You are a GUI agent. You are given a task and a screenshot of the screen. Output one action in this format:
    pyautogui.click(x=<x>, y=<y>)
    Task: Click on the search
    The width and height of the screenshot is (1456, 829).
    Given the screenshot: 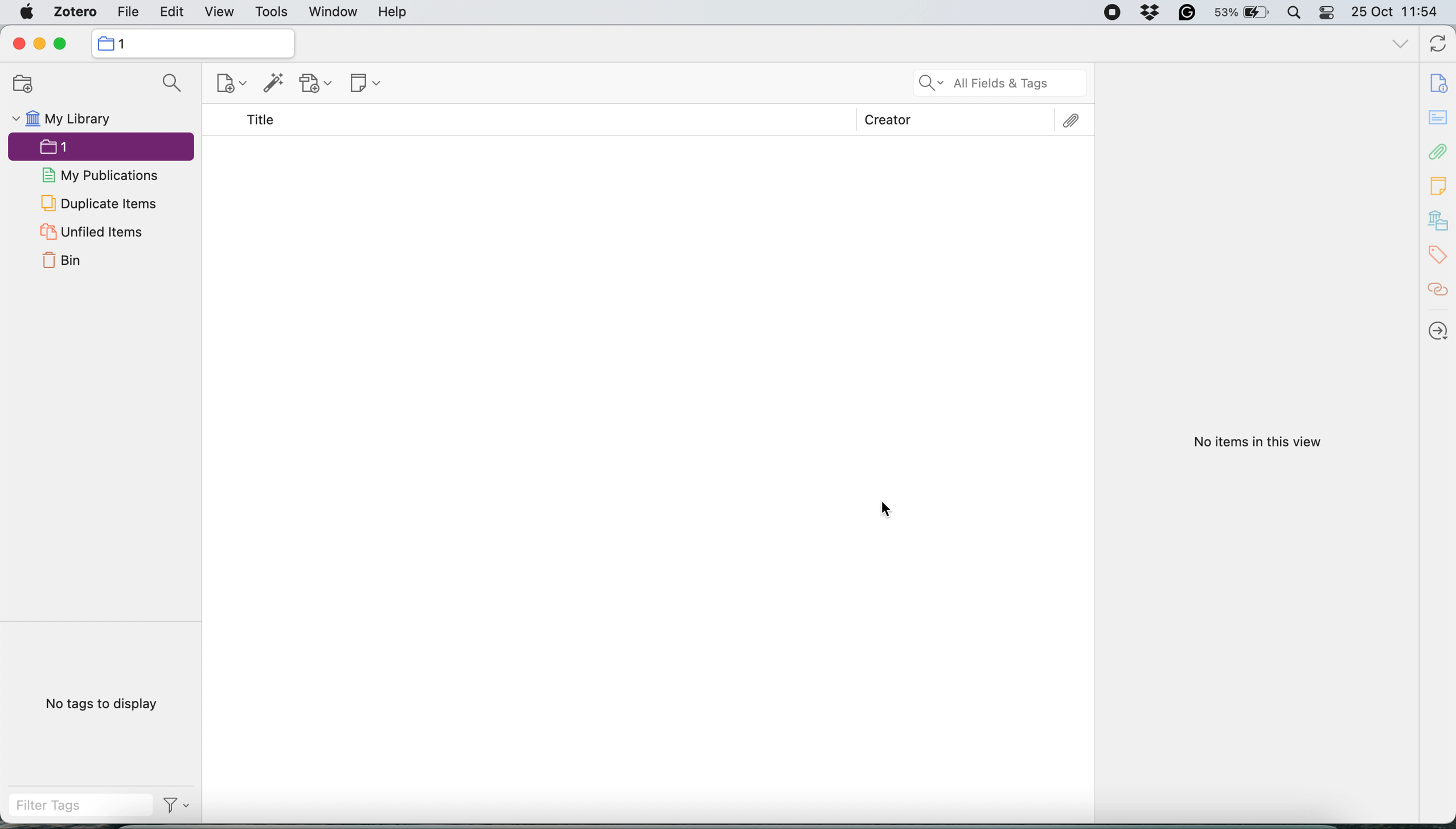 What is the action you would take?
    pyautogui.click(x=1000, y=83)
    